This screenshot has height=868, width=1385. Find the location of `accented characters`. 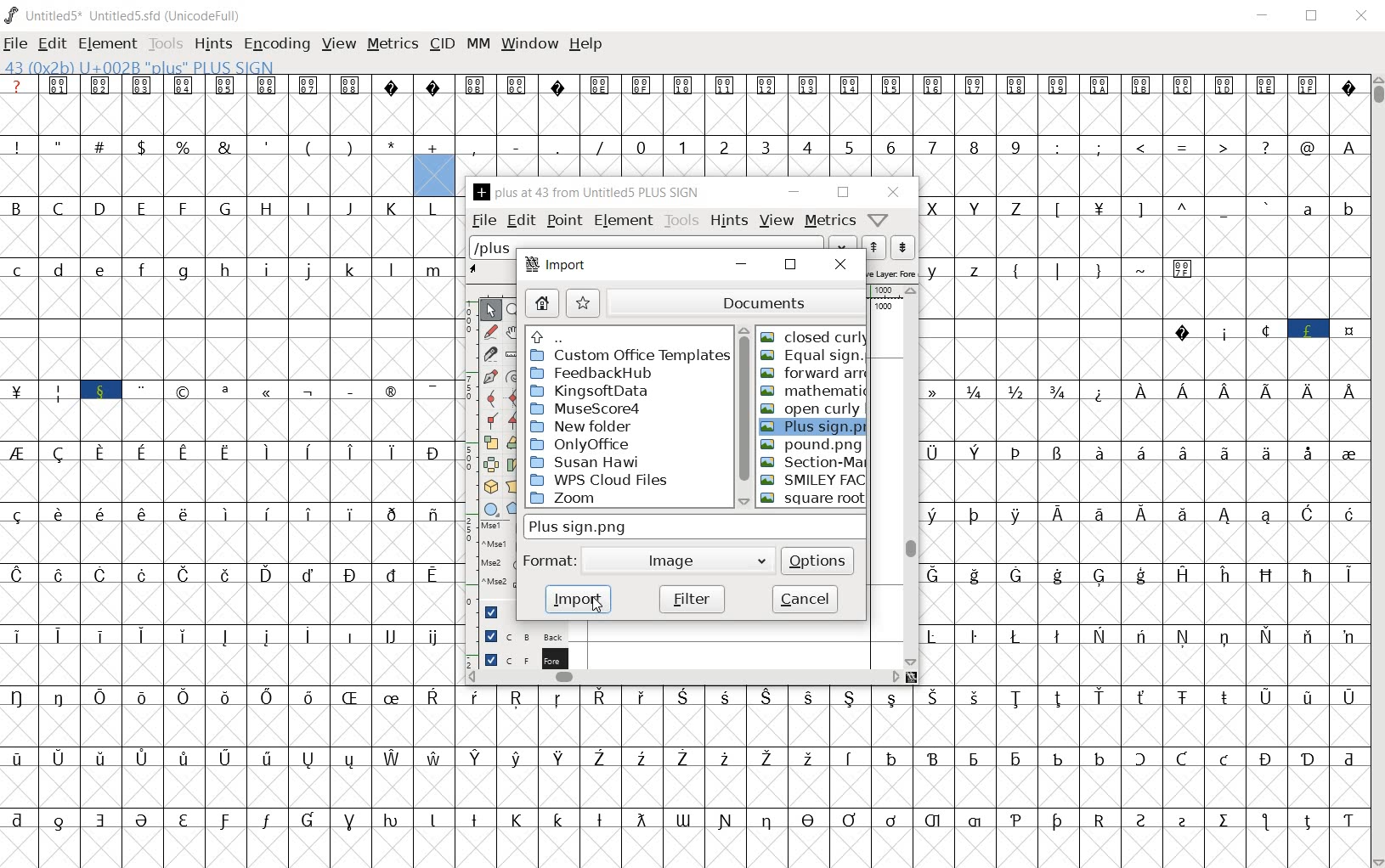

accented characters is located at coordinates (336, 717).